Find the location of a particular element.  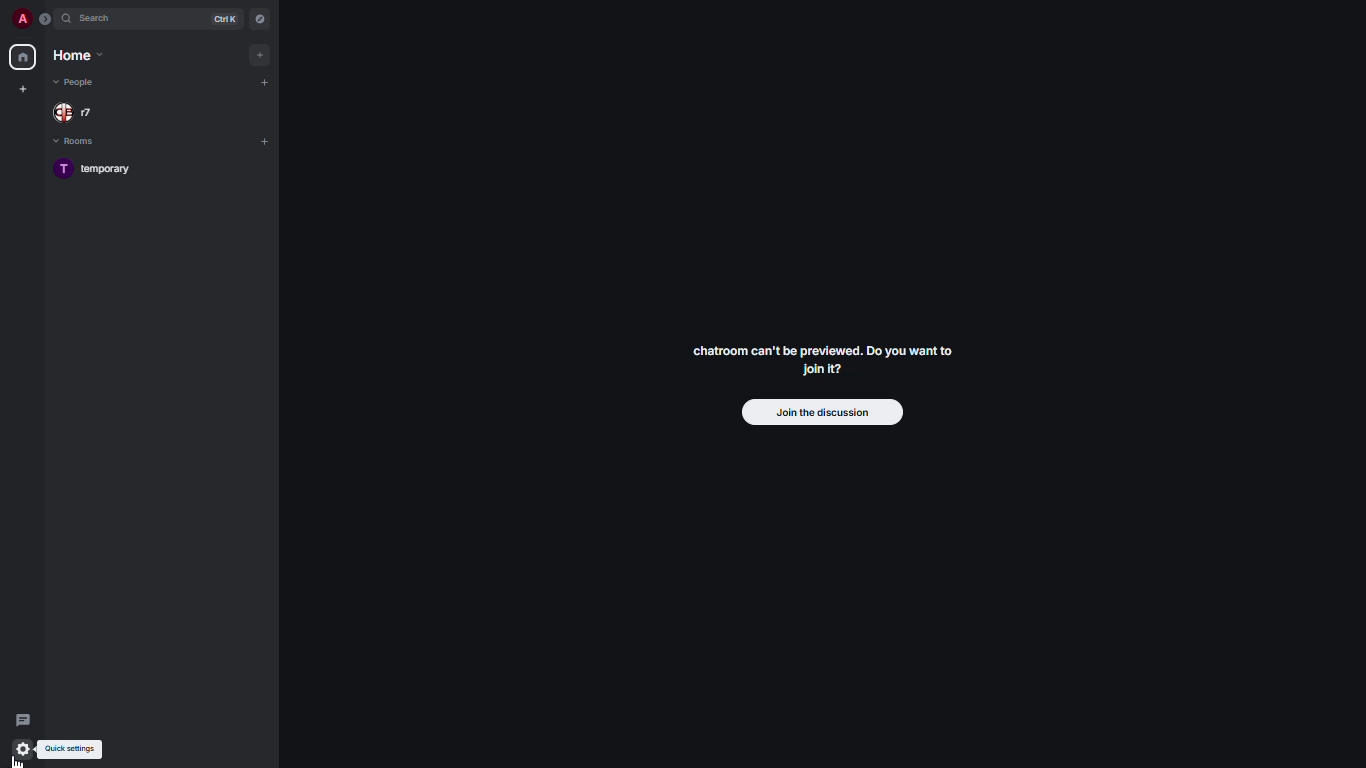

chatroom

can't

be previewed. Do you want
Join it? © is located at coordinates (825, 361).